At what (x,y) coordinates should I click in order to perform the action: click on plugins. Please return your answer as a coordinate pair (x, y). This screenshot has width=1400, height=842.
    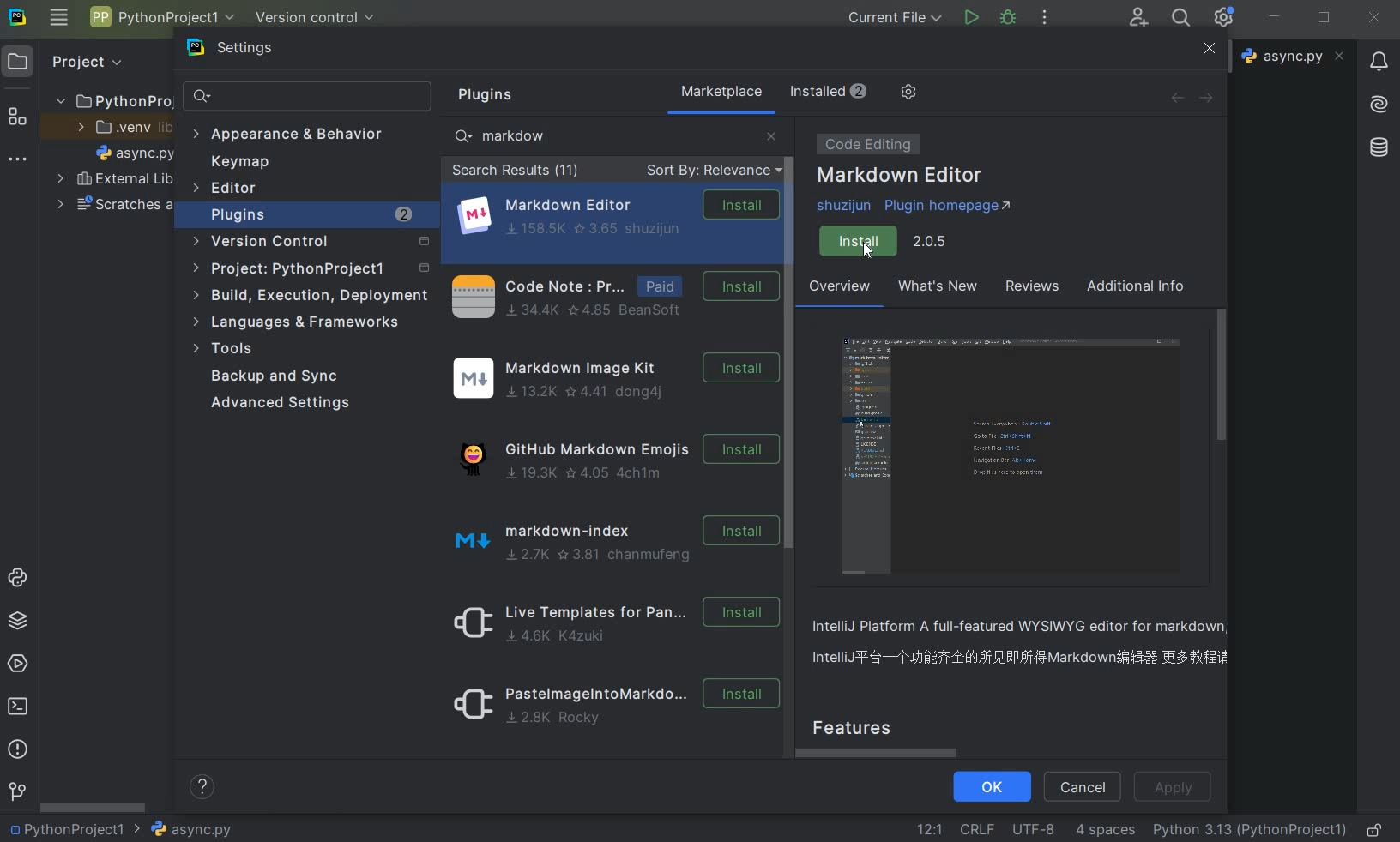
    Looking at the image, I should click on (312, 215).